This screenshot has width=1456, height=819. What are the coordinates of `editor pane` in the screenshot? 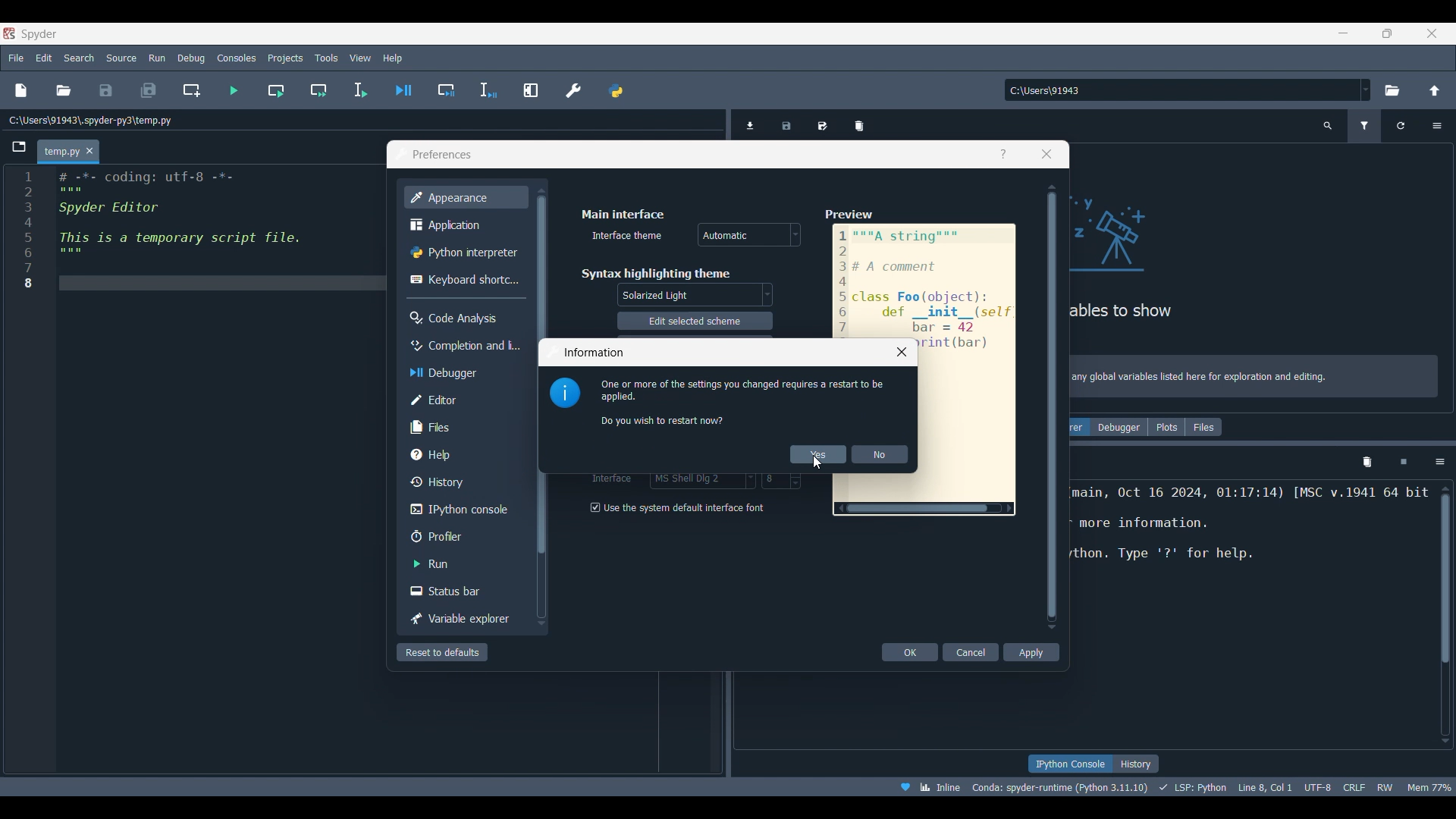 It's located at (215, 230).